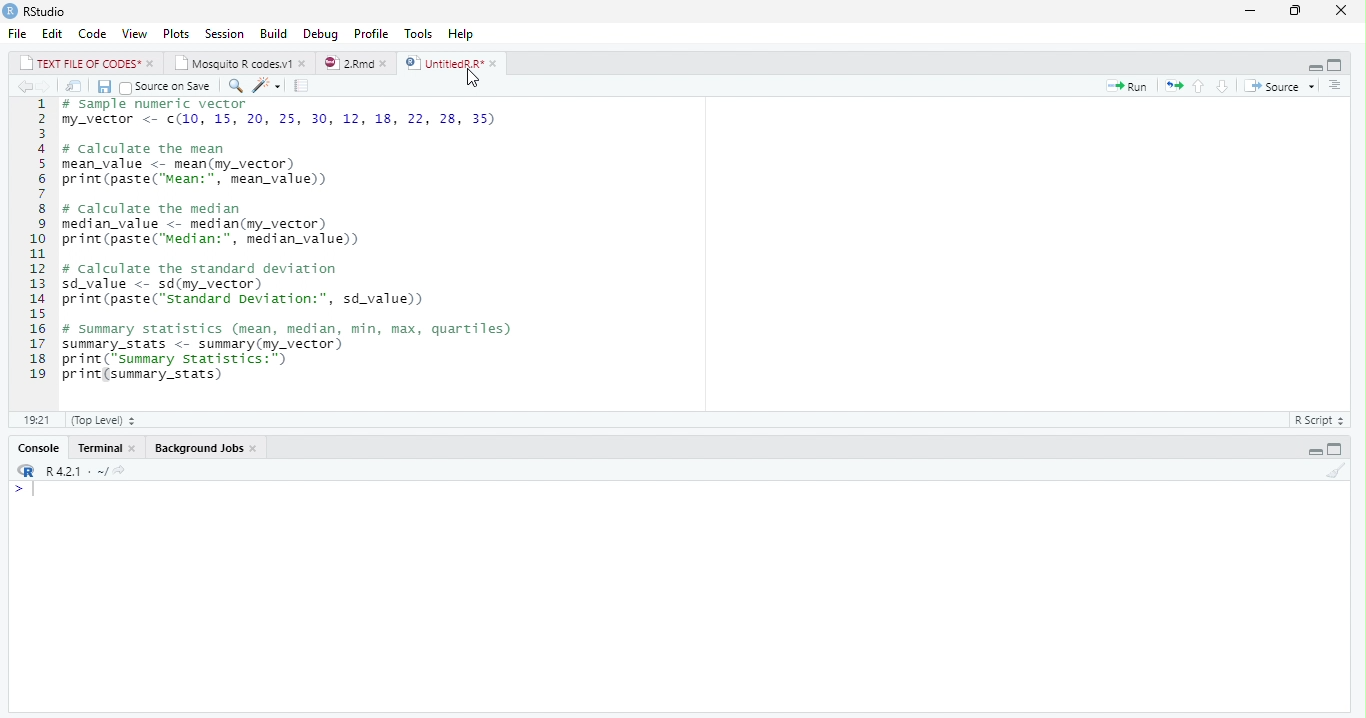  Describe the element at coordinates (1336, 86) in the screenshot. I see `show document outline` at that location.